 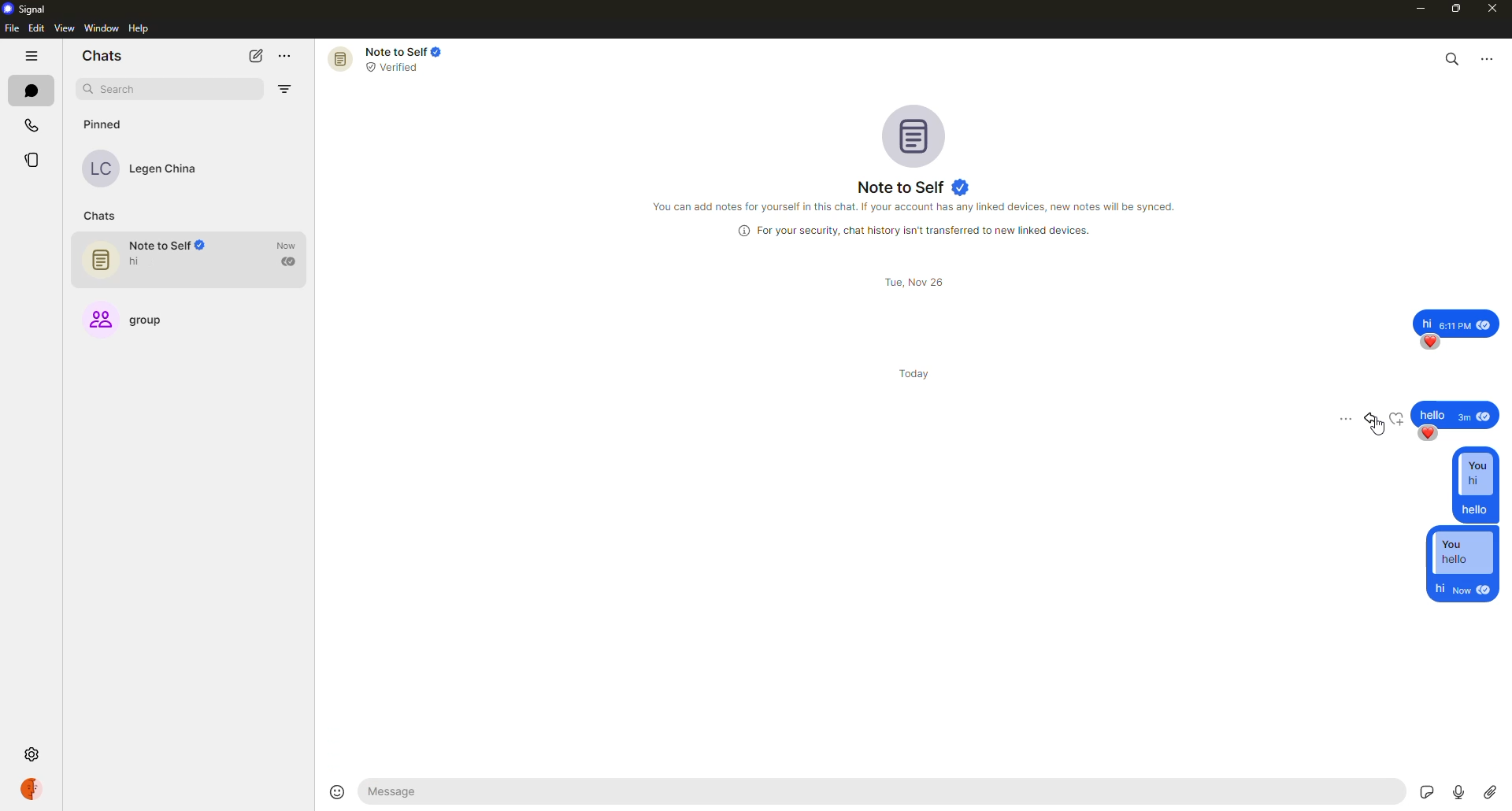 What do you see at coordinates (913, 283) in the screenshot?
I see `day` at bounding box center [913, 283].